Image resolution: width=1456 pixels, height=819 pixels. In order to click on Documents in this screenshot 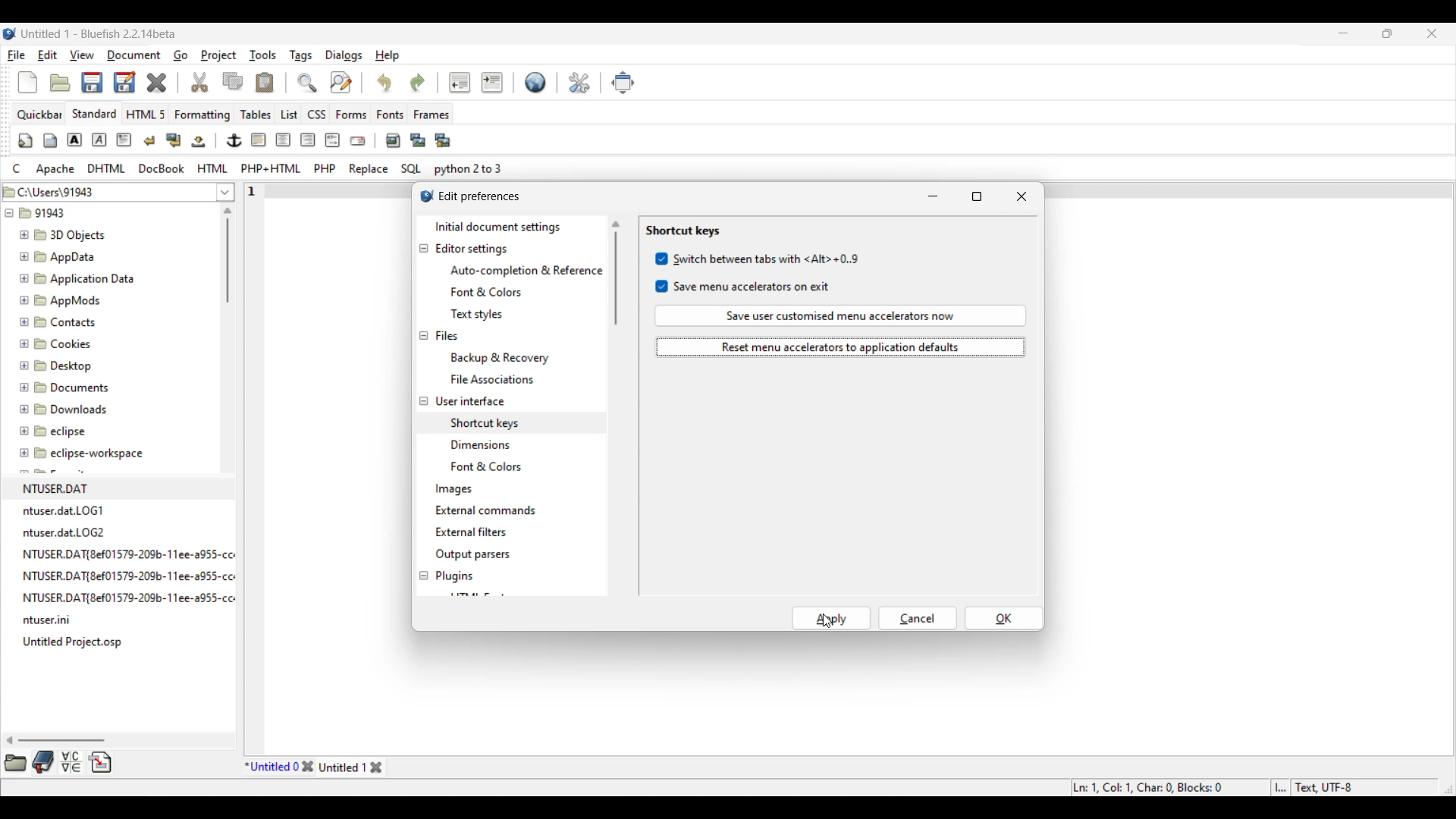, I will do `click(72, 386)`.